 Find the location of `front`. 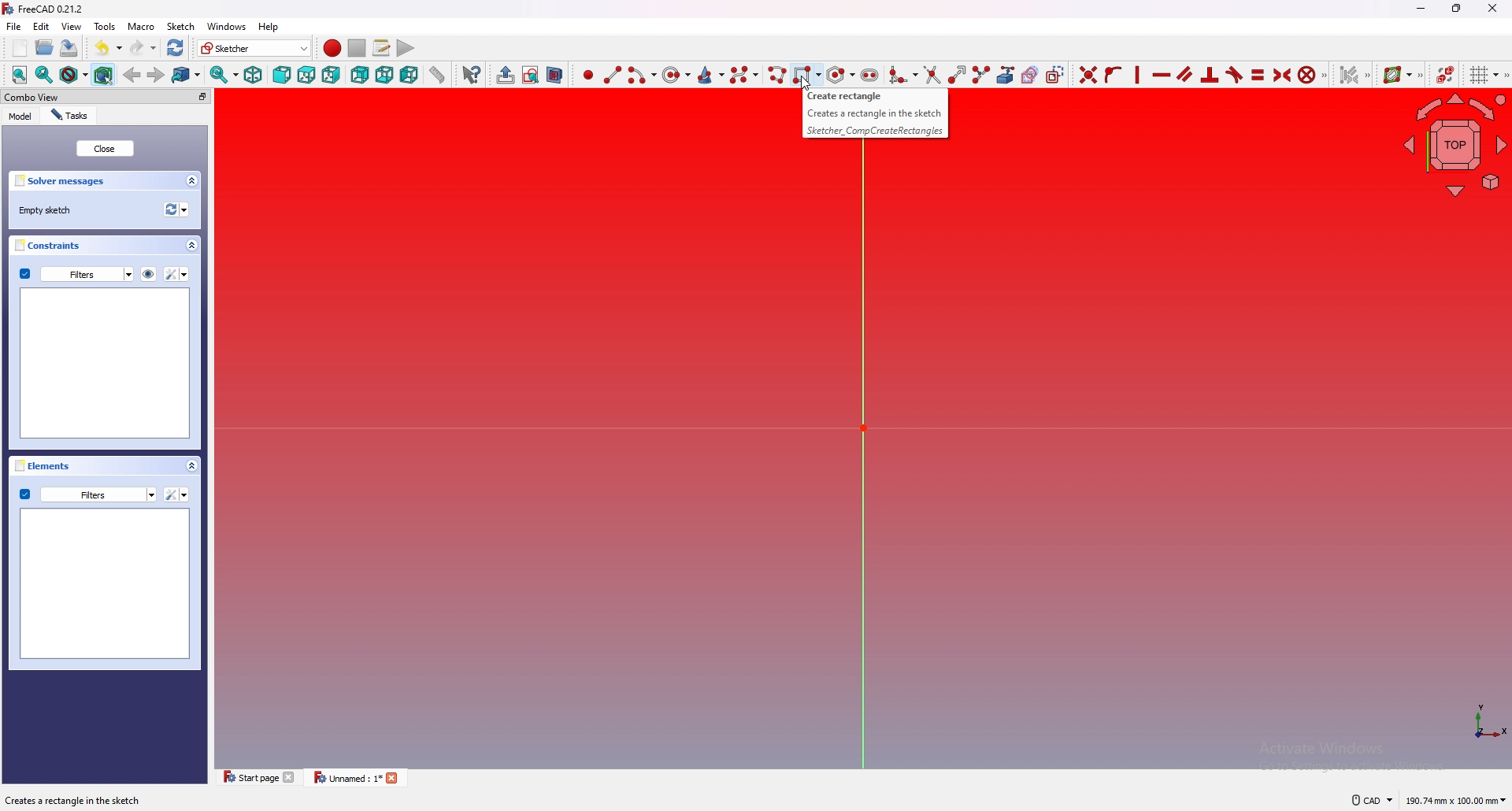

front is located at coordinates (282, 75).